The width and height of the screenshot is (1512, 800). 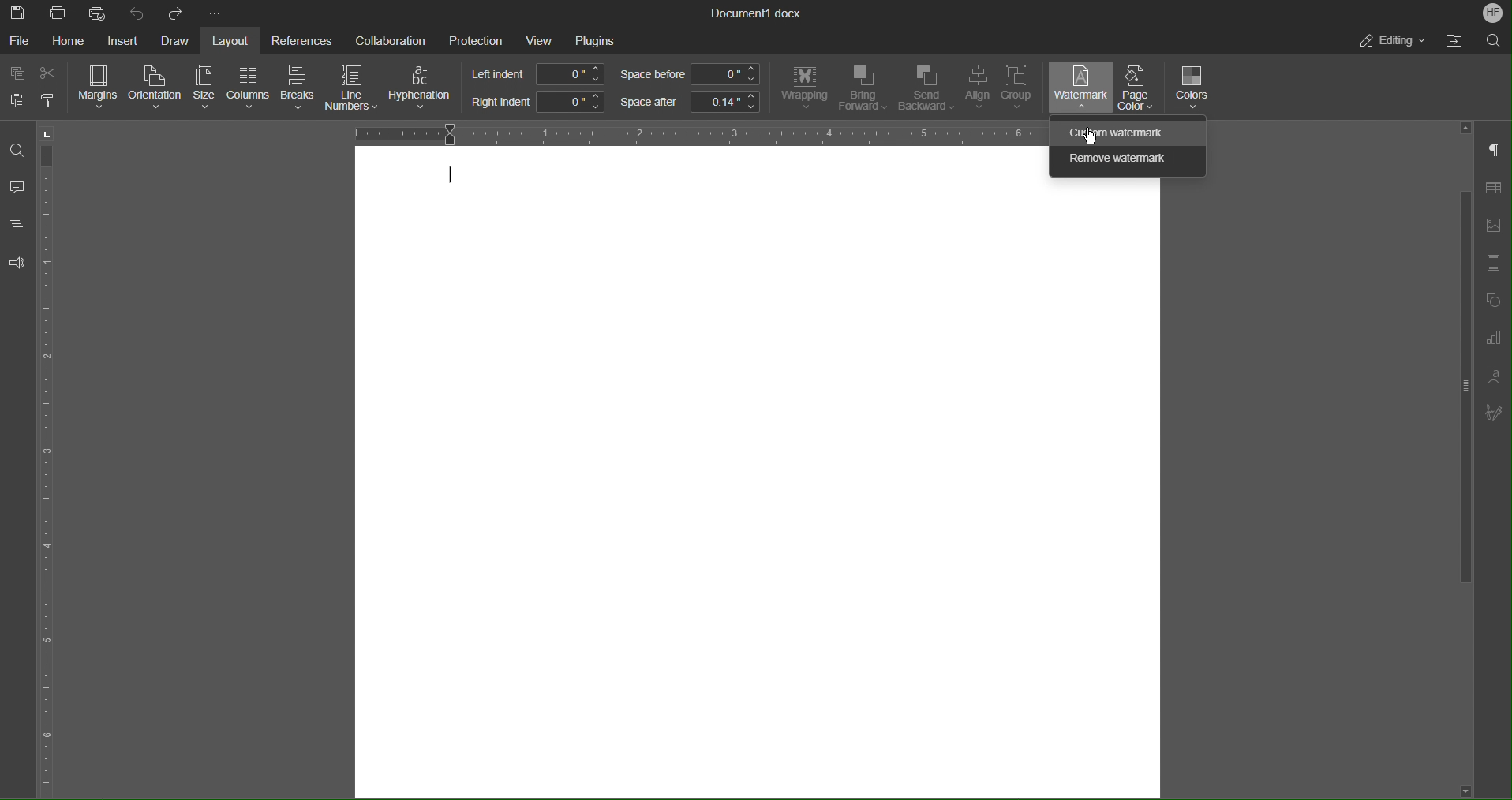 What do you see at coordinates (1127, 161) in the screenshot?
I see `Remove watermark` at bounding box center [1127, 161].